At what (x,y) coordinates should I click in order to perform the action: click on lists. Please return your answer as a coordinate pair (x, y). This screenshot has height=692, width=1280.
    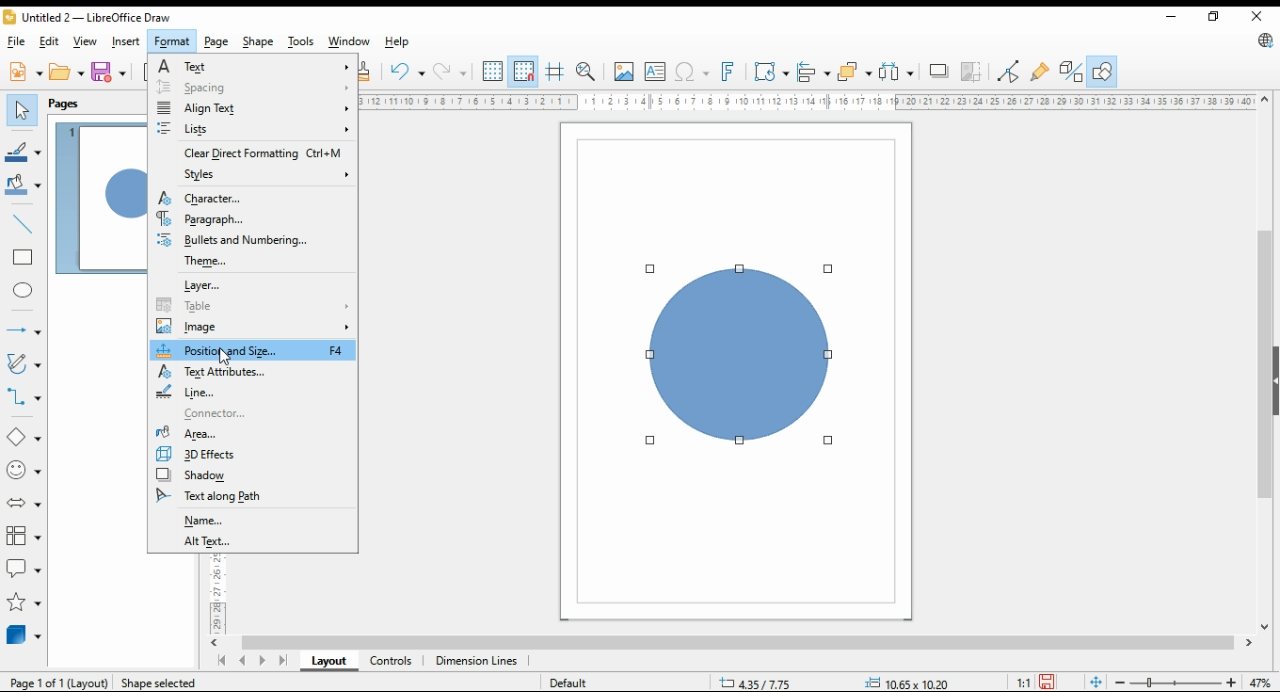
    Looking at the image, I should click on (254, 130).